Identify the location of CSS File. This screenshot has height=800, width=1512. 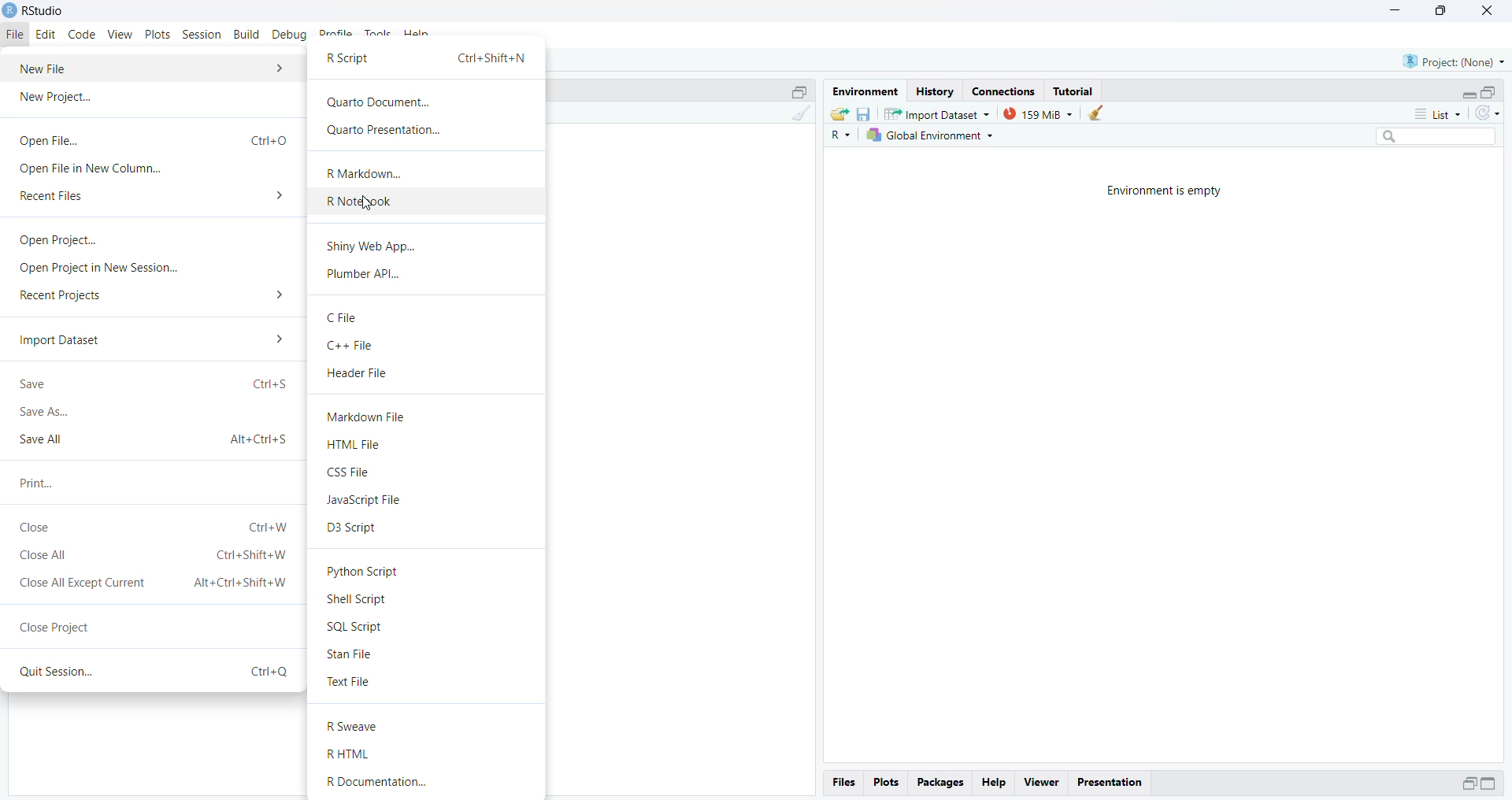
(349, 473).